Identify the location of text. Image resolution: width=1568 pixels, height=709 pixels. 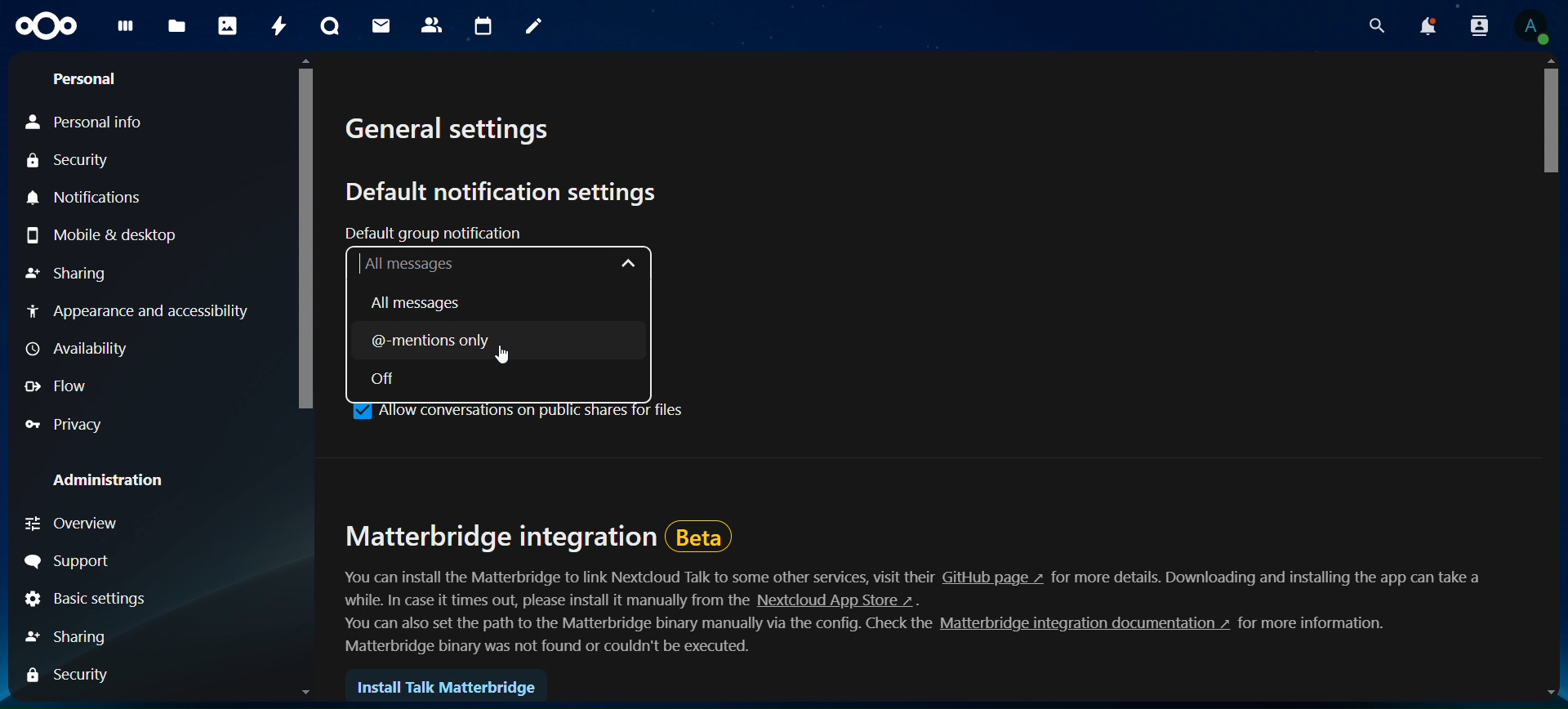
(1321, 626).